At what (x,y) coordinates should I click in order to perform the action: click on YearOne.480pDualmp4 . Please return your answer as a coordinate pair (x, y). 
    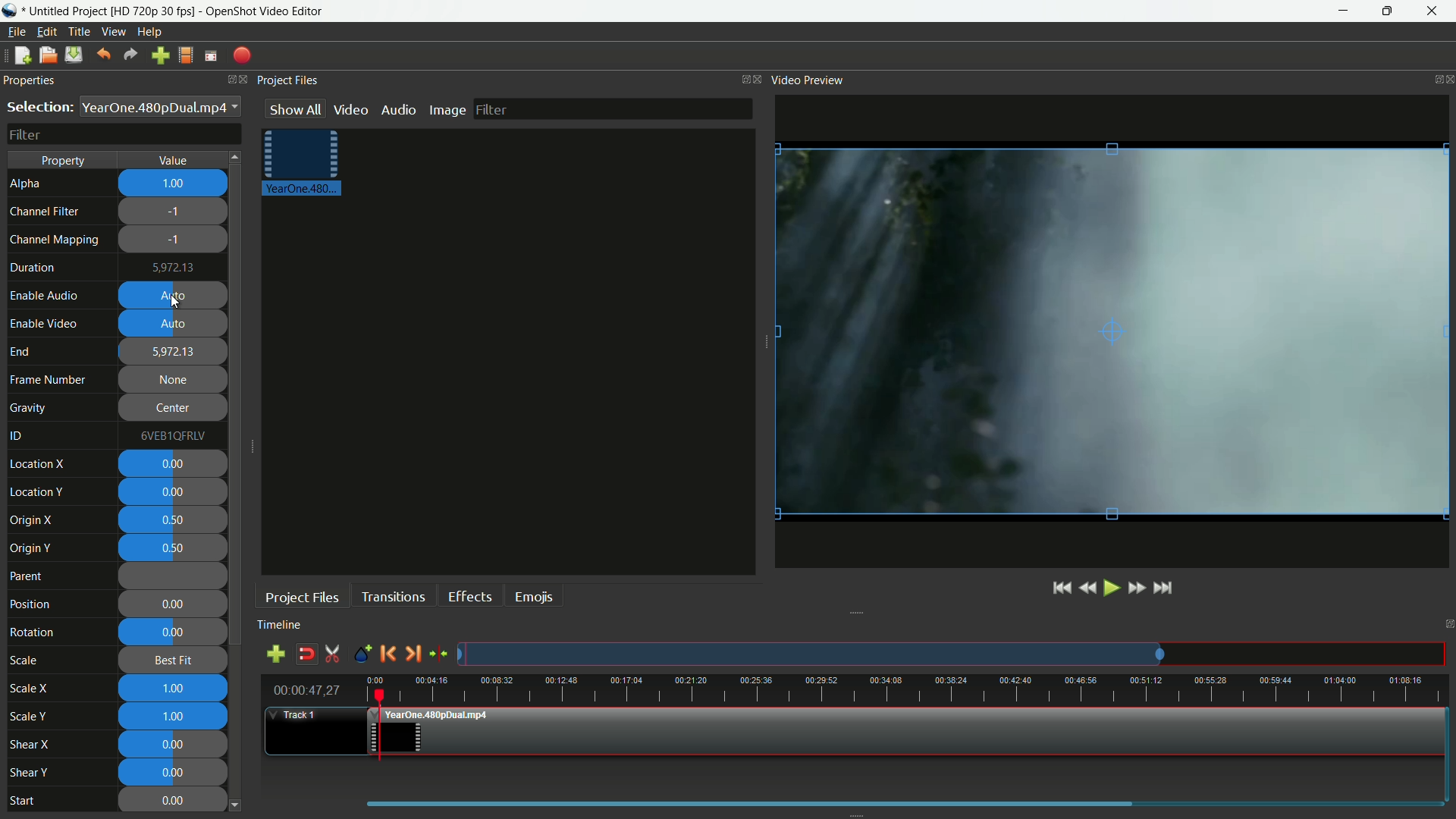
    Looking at the image, I should click on (160, 107).